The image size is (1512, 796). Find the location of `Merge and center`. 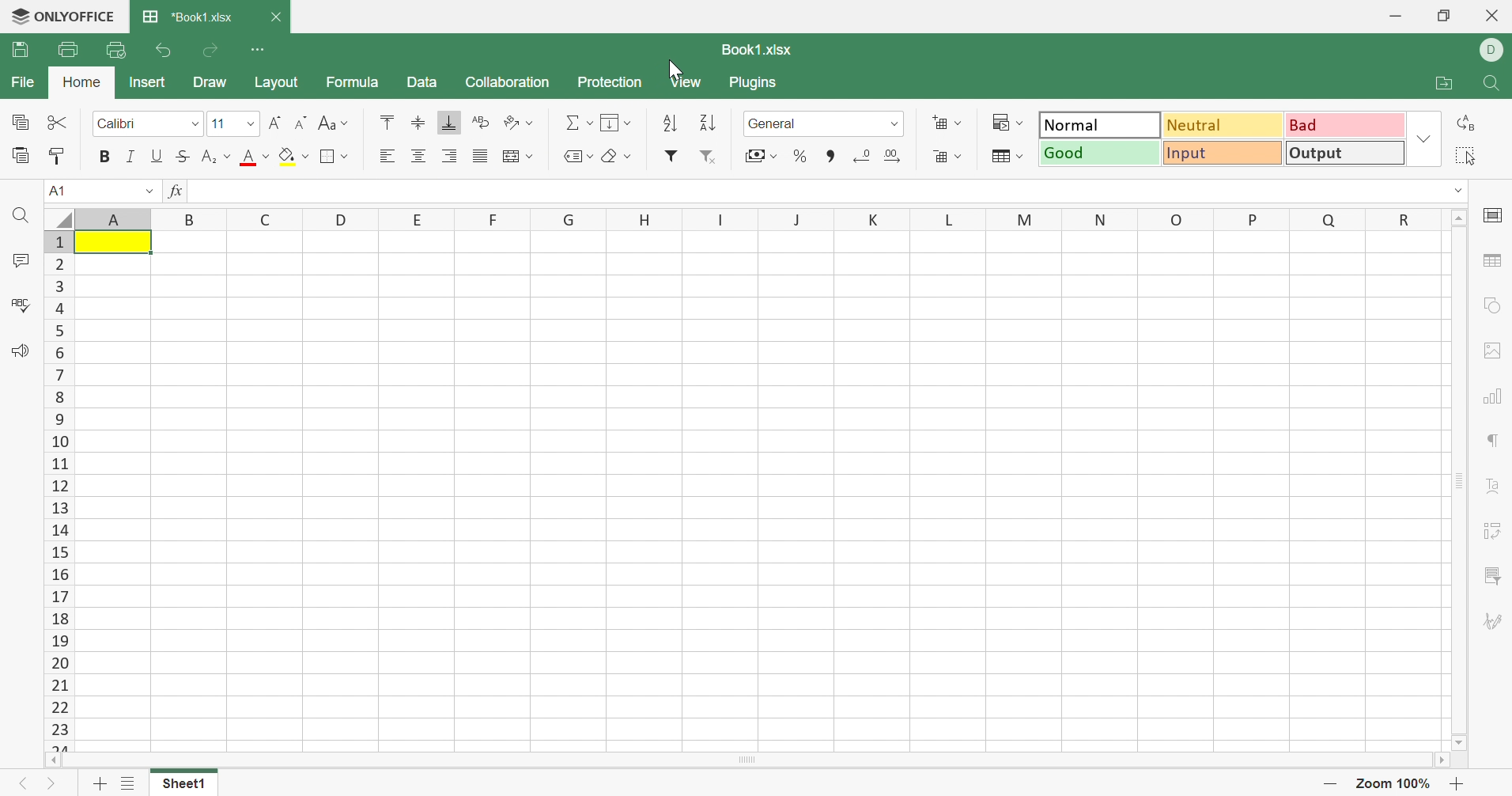

Merge and center is located at coordinates (516, 157).